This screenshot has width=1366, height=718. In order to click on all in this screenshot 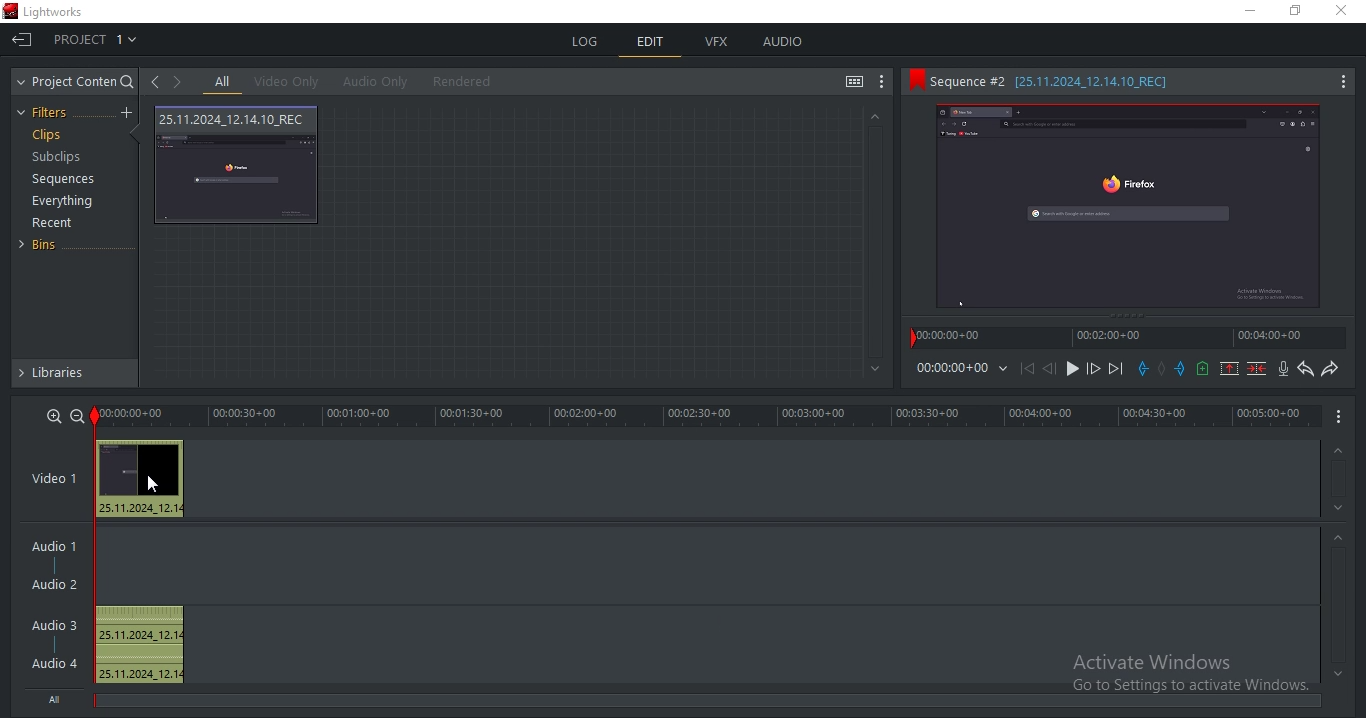, I will do `click(57, 698)`.